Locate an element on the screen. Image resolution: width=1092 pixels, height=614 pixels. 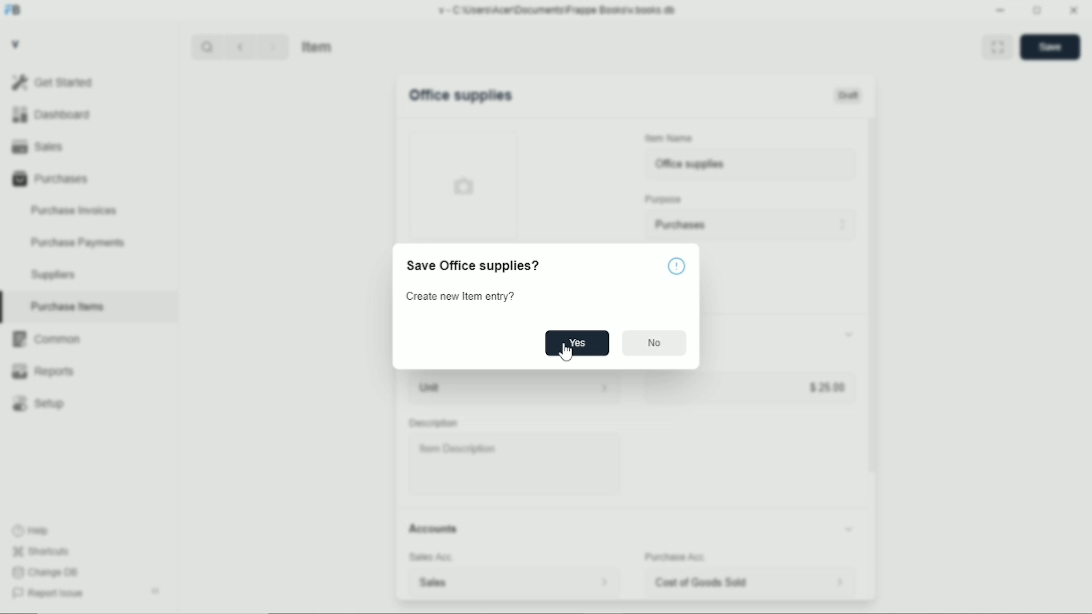
item is located at coordinates (319, 46).